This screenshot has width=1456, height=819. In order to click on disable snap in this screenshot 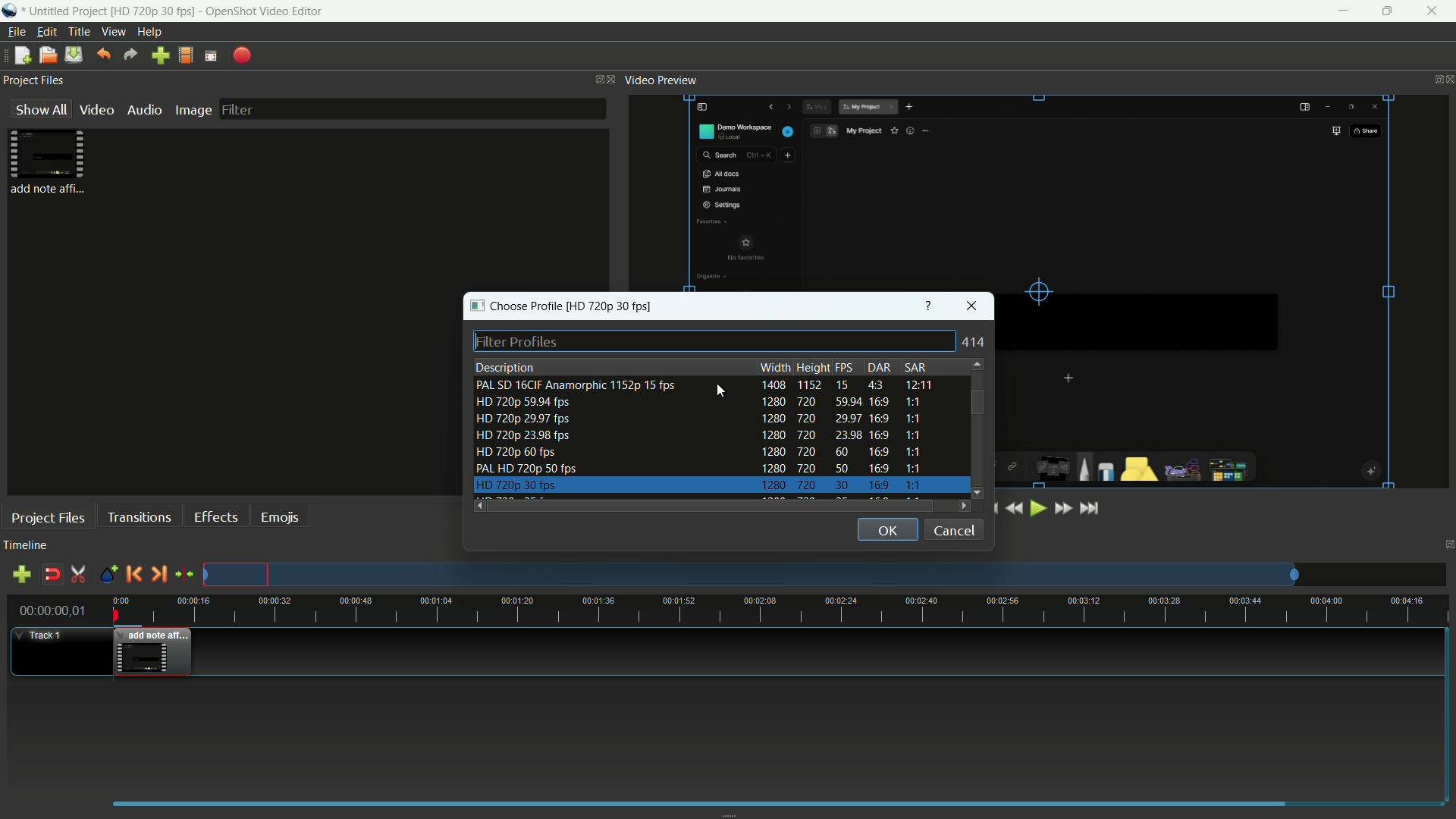, I will do `click(52, 574)`.